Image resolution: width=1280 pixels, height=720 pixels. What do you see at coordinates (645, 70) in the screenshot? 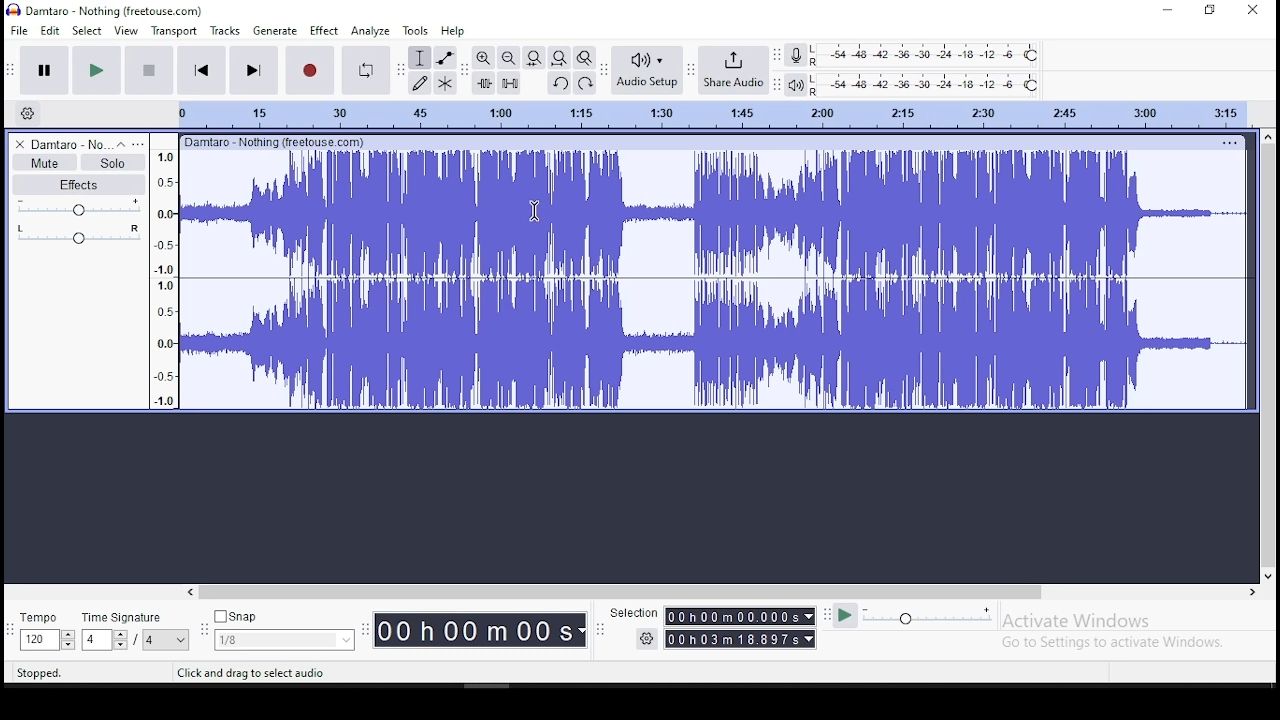
I see `audio setup` at bounding box center [645, 70].